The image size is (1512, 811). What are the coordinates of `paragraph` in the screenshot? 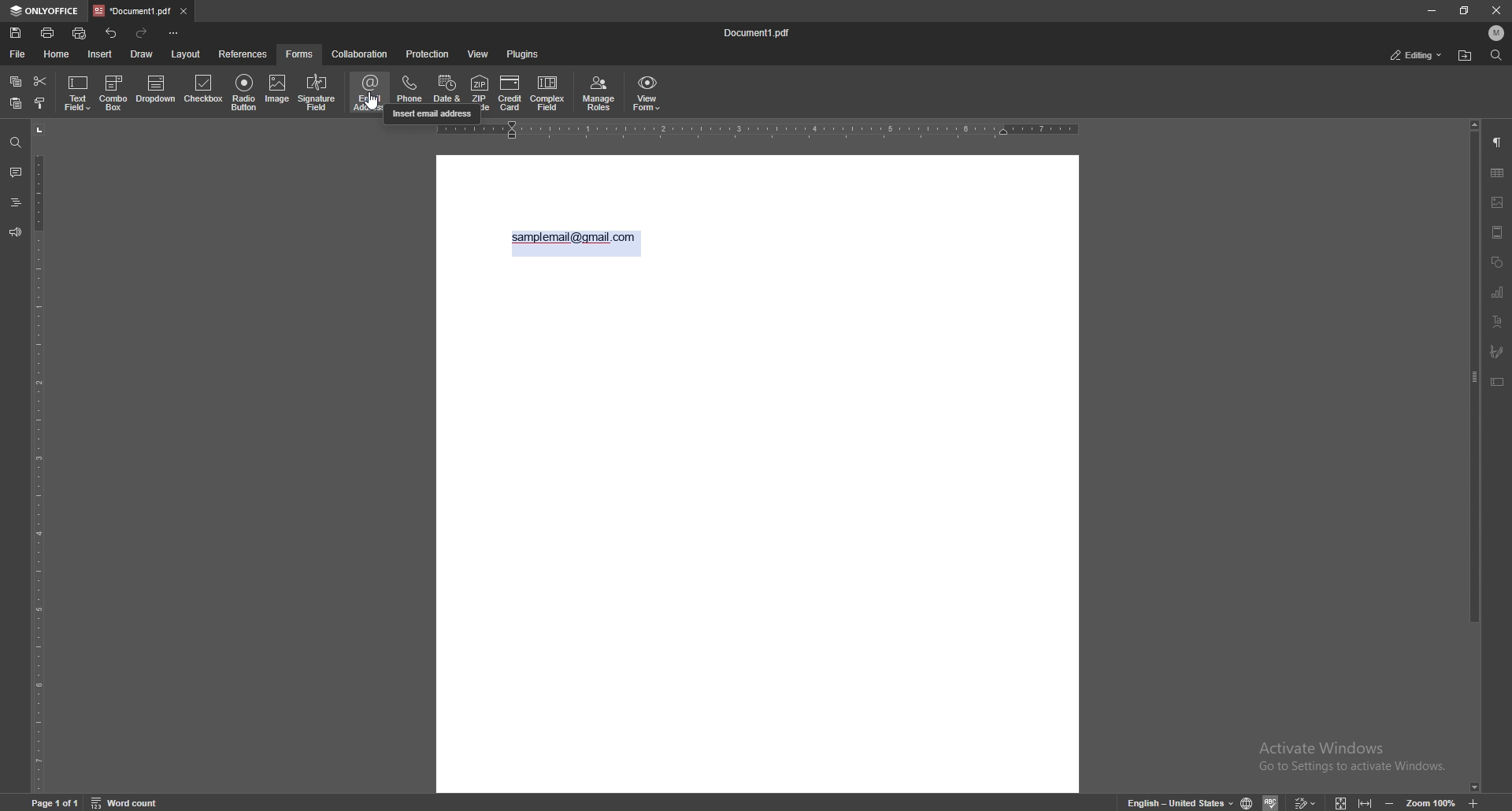 It's located at (1498, 141).